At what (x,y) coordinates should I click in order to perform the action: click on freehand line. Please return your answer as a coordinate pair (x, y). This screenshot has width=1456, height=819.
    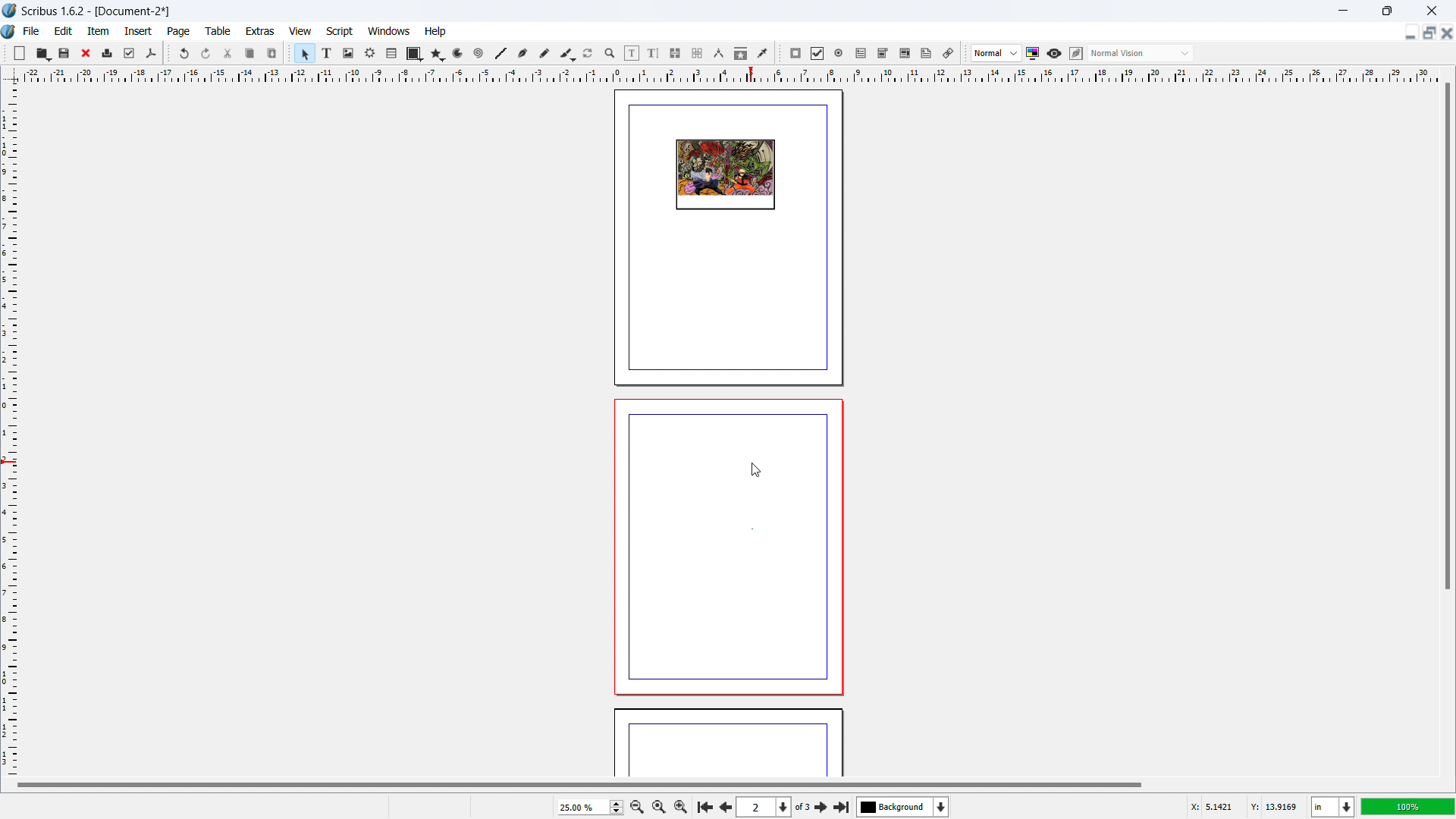
    Looking at the image, I should click on (545, 54).